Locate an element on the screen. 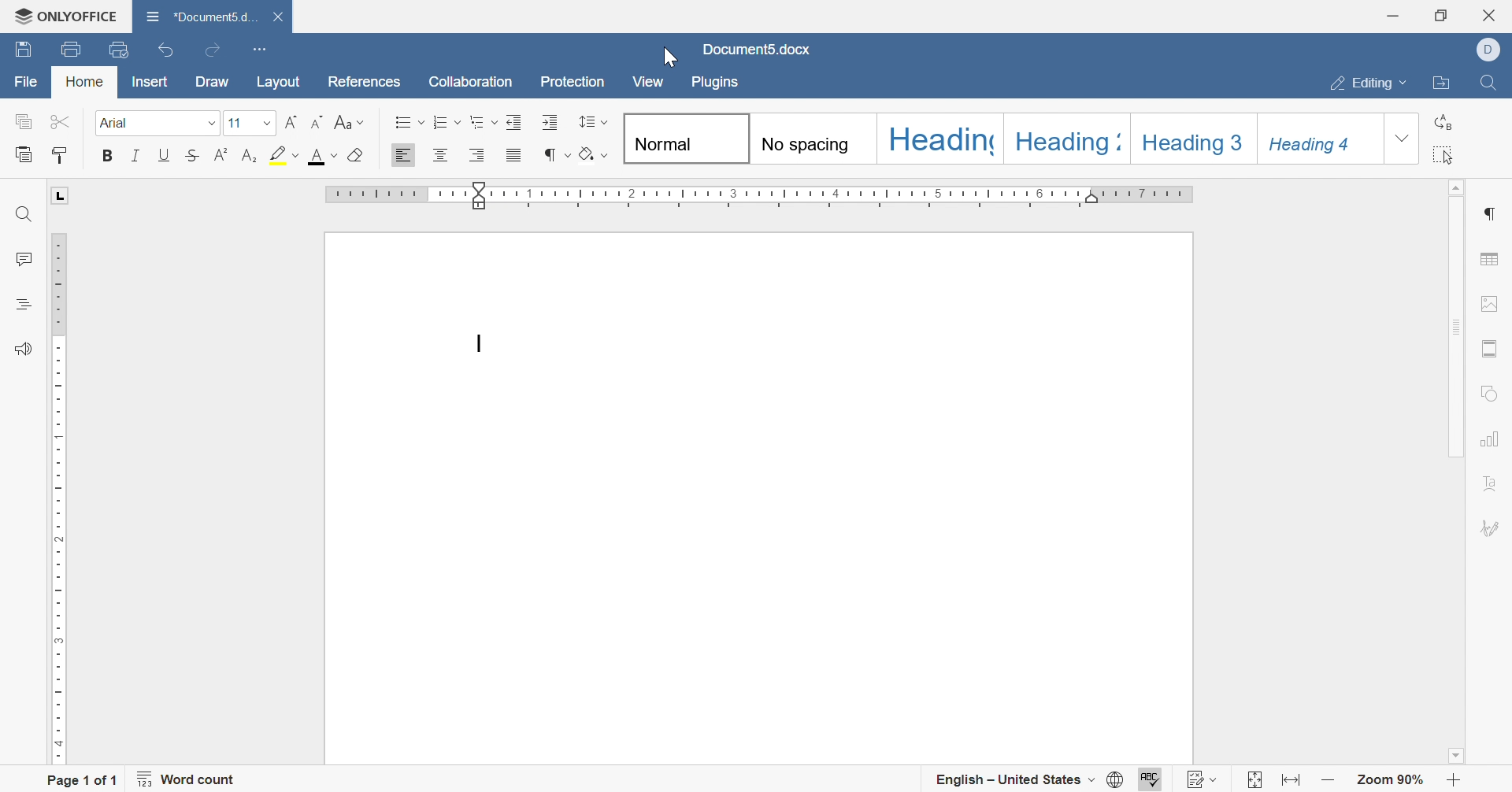 The image size is (1512, 792). home is located at coordinates (83, 82).